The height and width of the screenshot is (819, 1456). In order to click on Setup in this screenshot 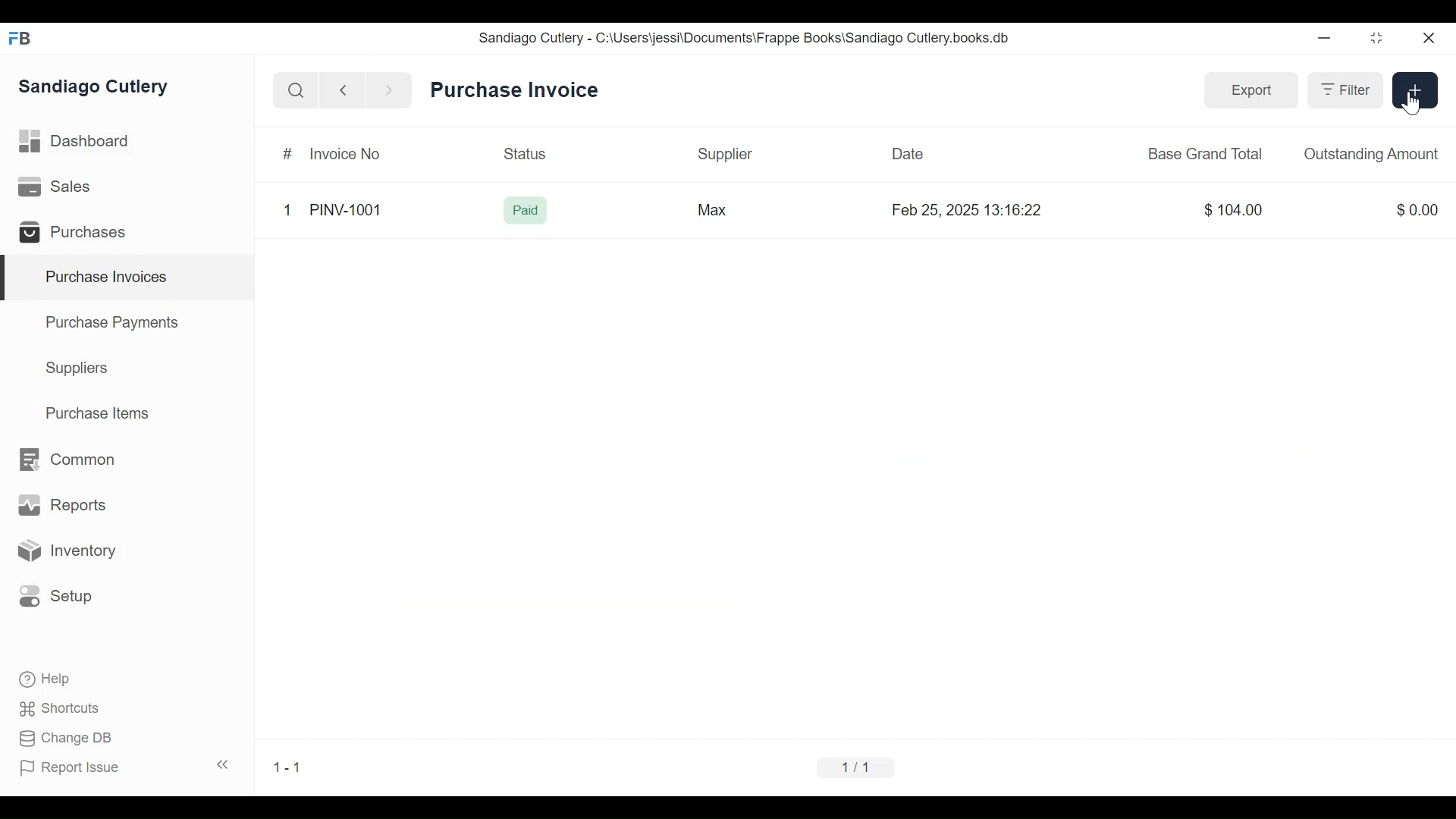, I will do `click(56, 595)`.